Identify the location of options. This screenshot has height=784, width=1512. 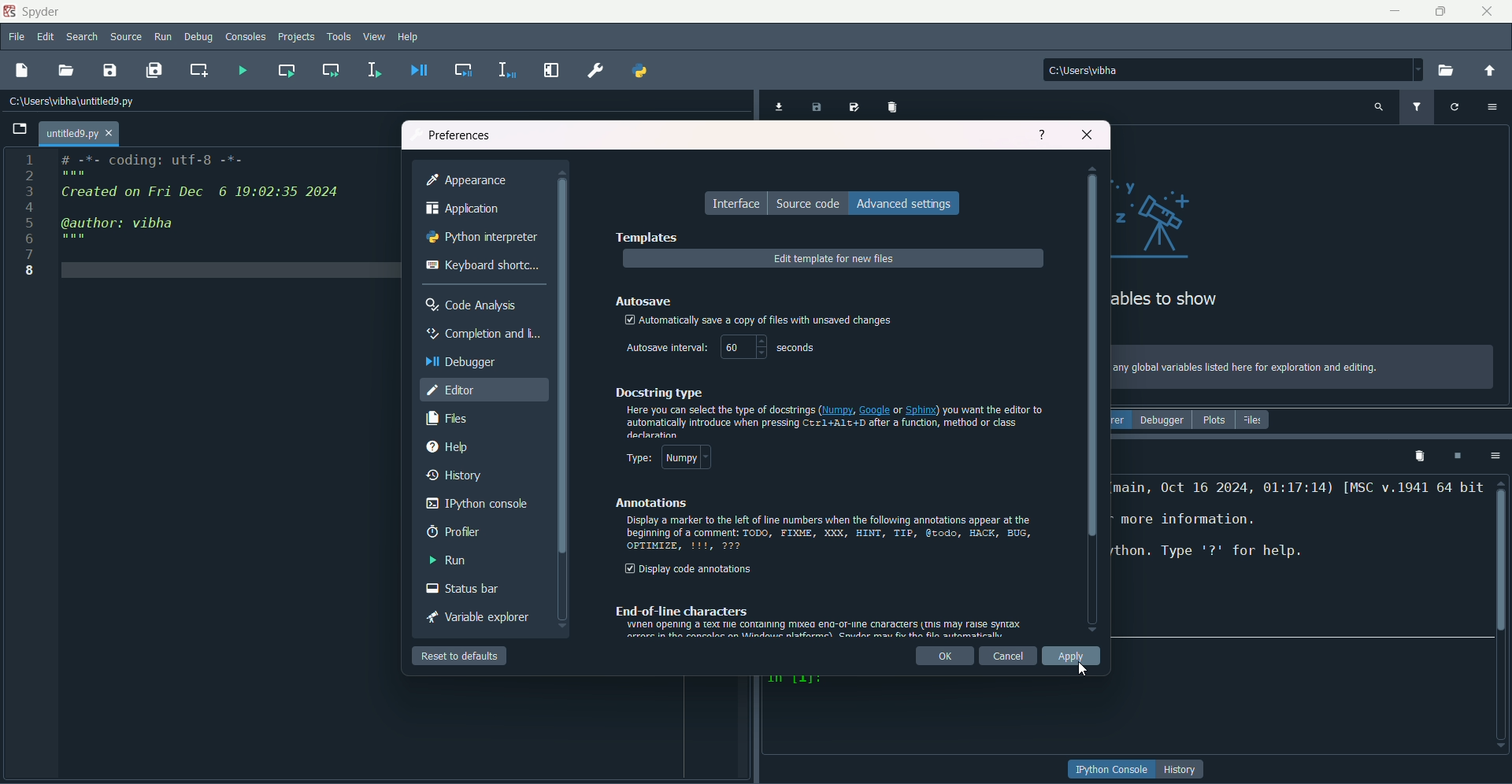
(1495, 105).